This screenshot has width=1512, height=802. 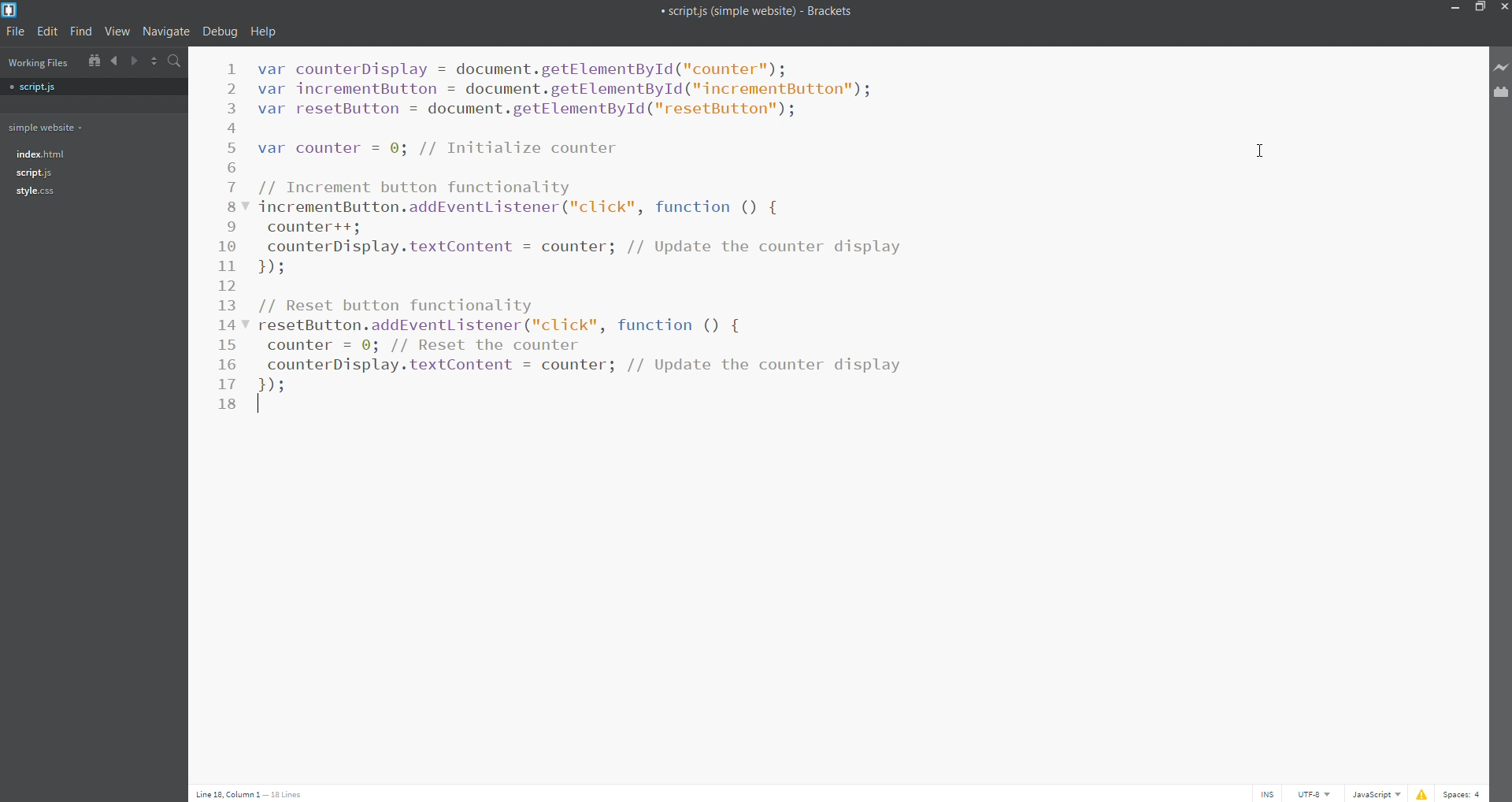 I want to click on view, so click(x=117, y=32).